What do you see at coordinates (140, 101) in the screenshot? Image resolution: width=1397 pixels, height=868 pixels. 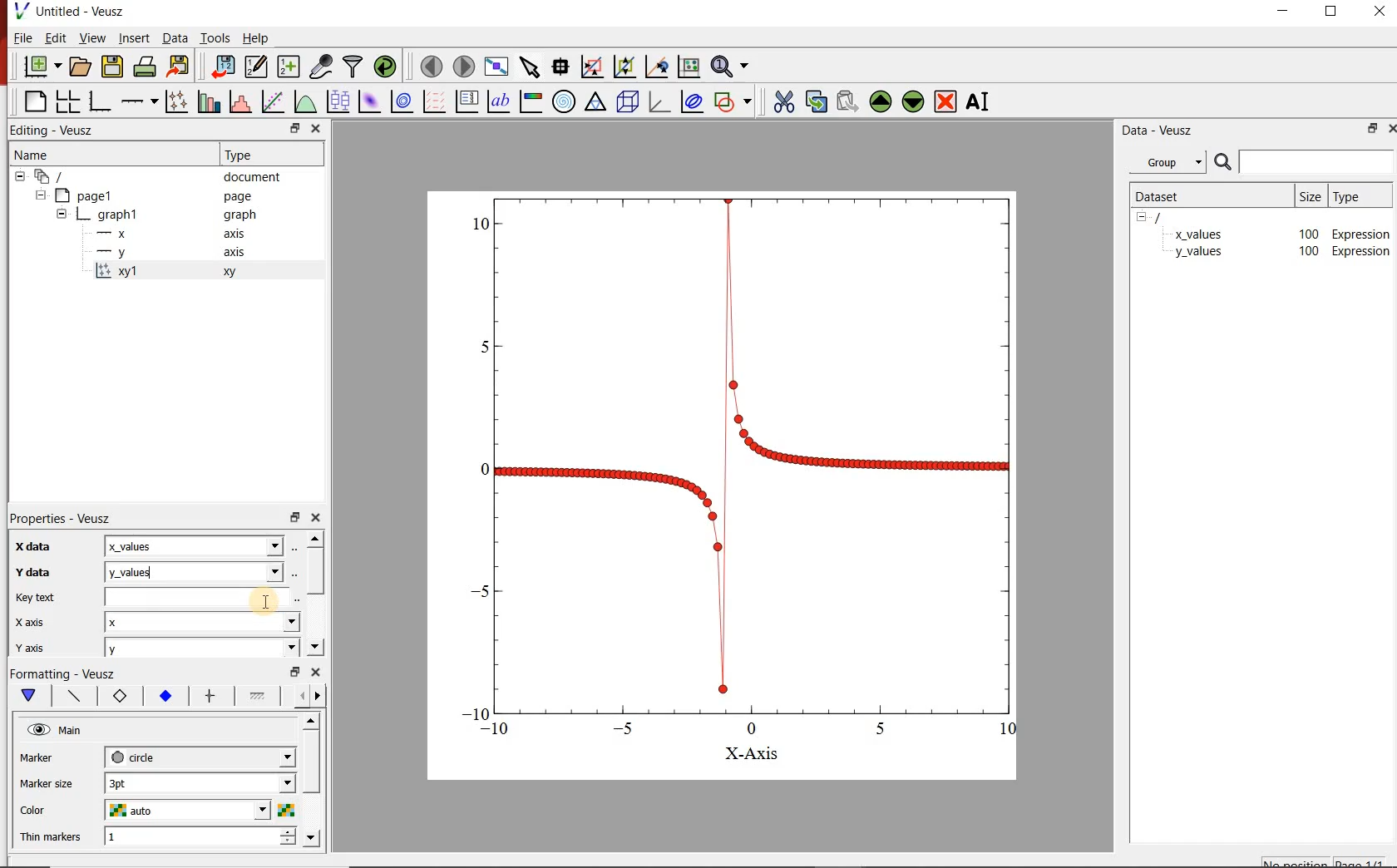 I see `add axis on the plot` at bounding box center [140, 101].